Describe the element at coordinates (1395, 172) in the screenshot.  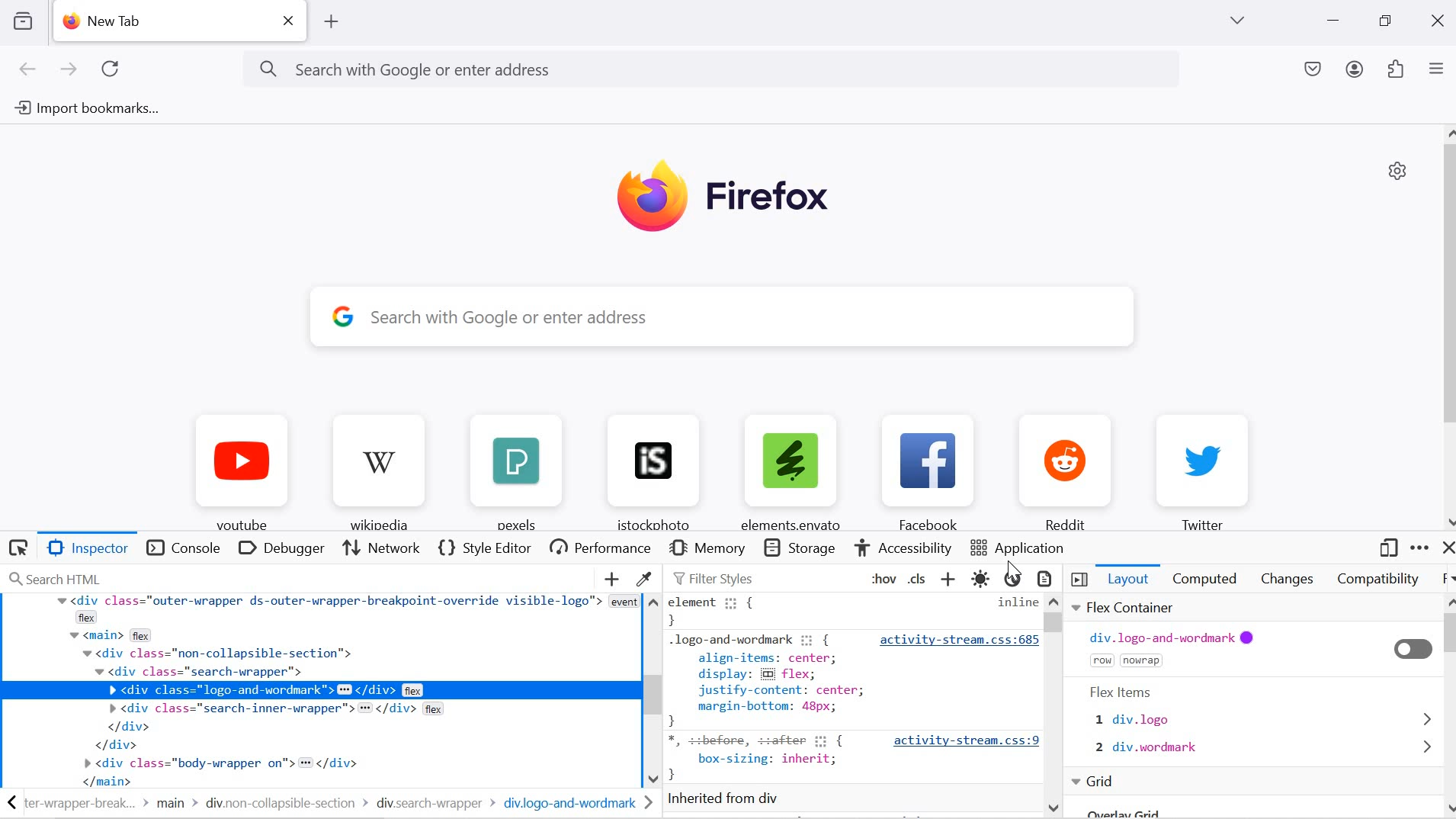
I see `personalize new tab` at that location.